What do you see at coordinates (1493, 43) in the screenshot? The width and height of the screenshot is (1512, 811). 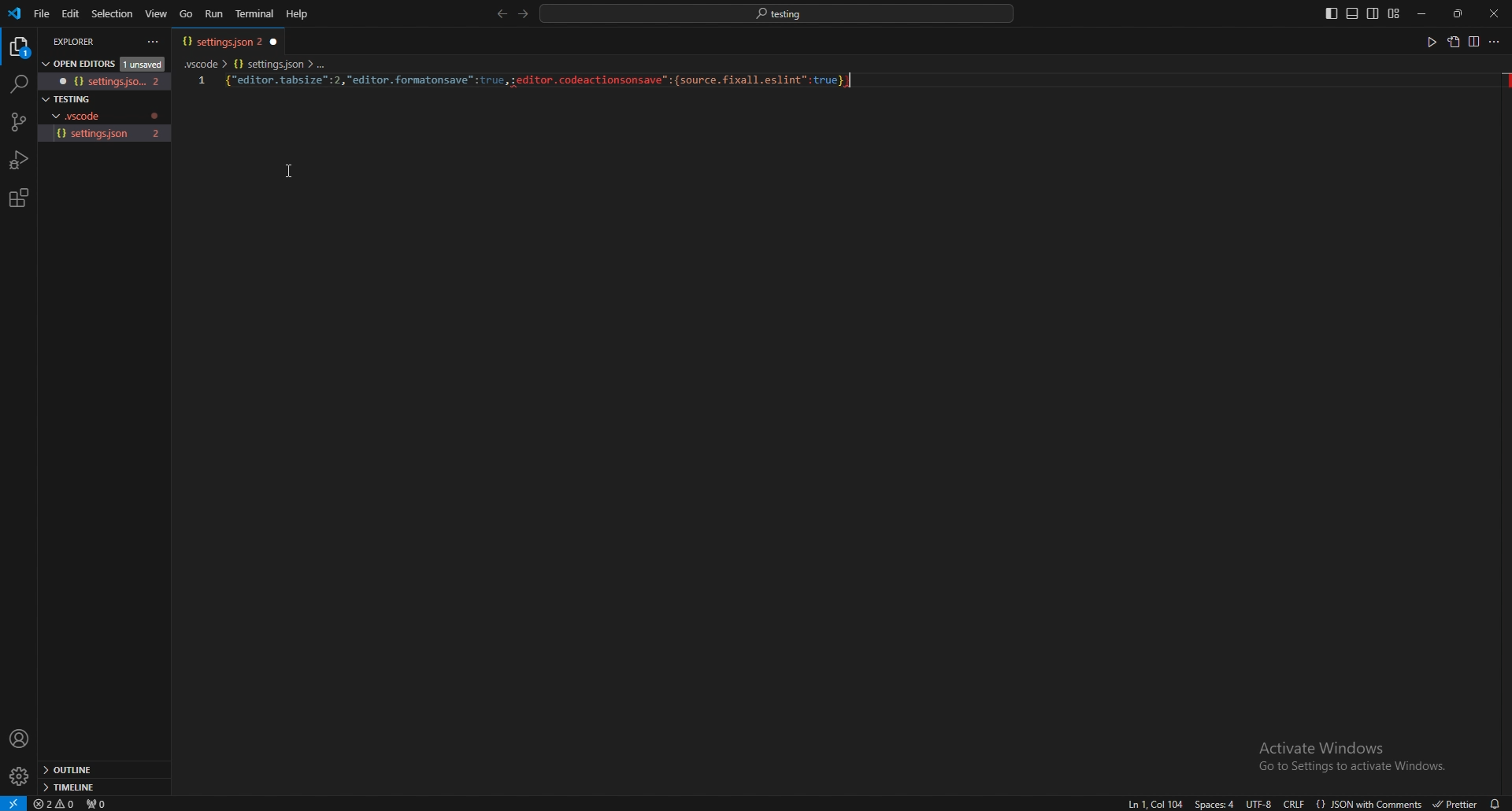 I see `more actions` at bounding box center [1493, 43].